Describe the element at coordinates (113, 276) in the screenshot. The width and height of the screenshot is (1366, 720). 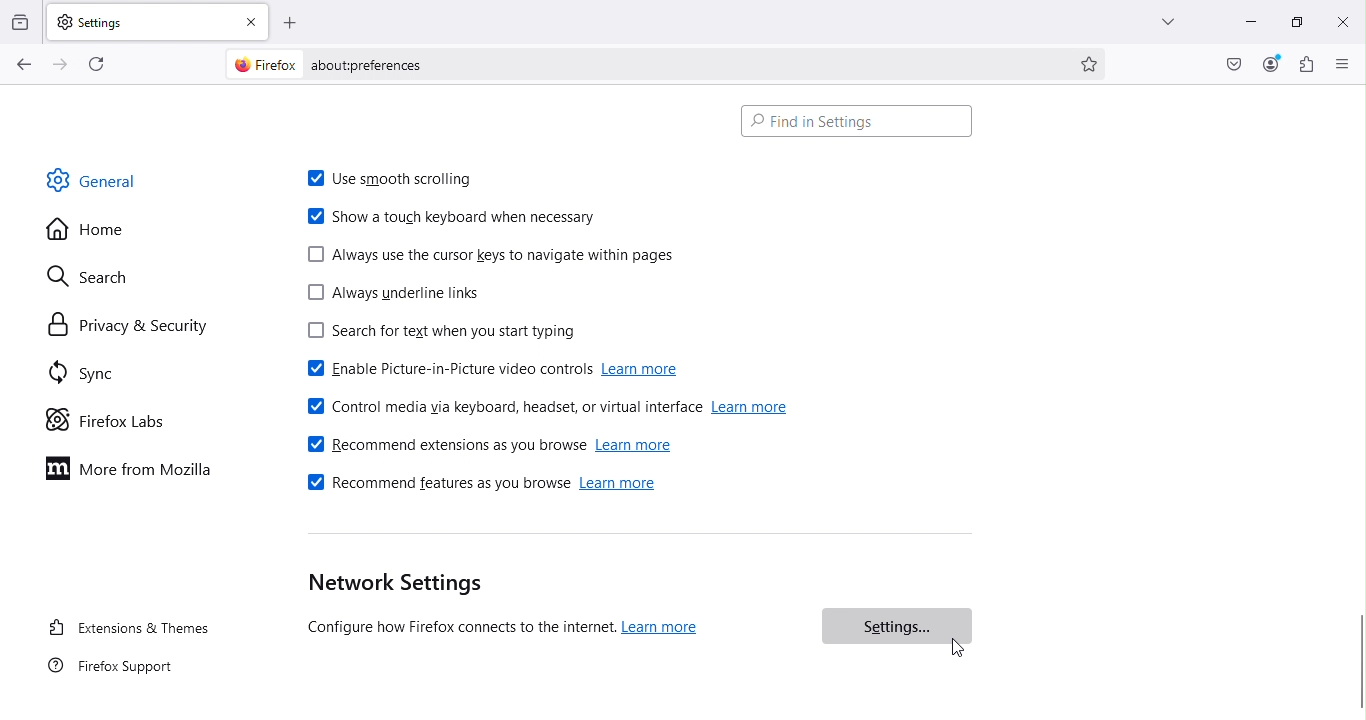
I see `Search` at that location.